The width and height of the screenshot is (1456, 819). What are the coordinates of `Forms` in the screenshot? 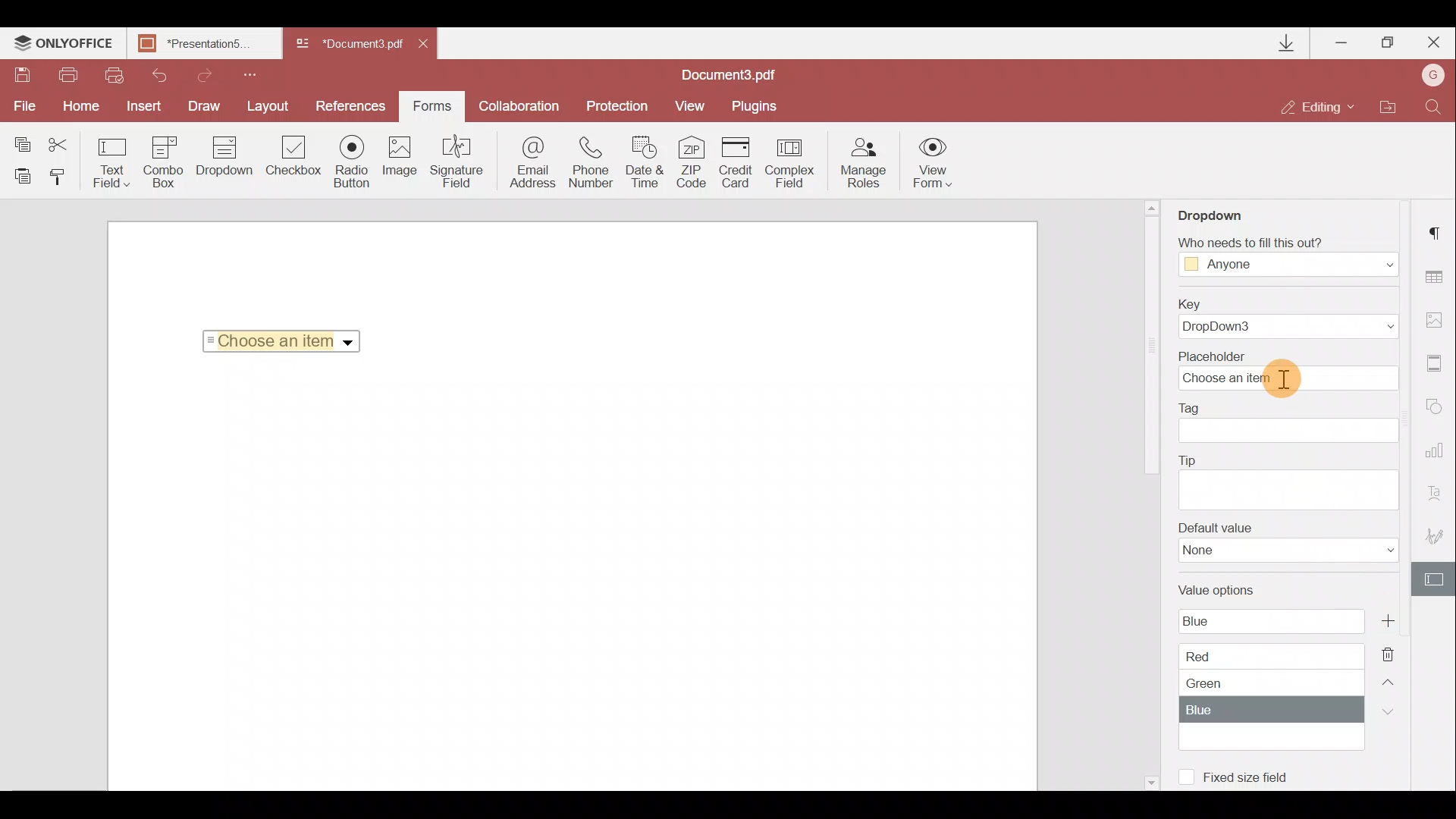 It's located at (432, 106).